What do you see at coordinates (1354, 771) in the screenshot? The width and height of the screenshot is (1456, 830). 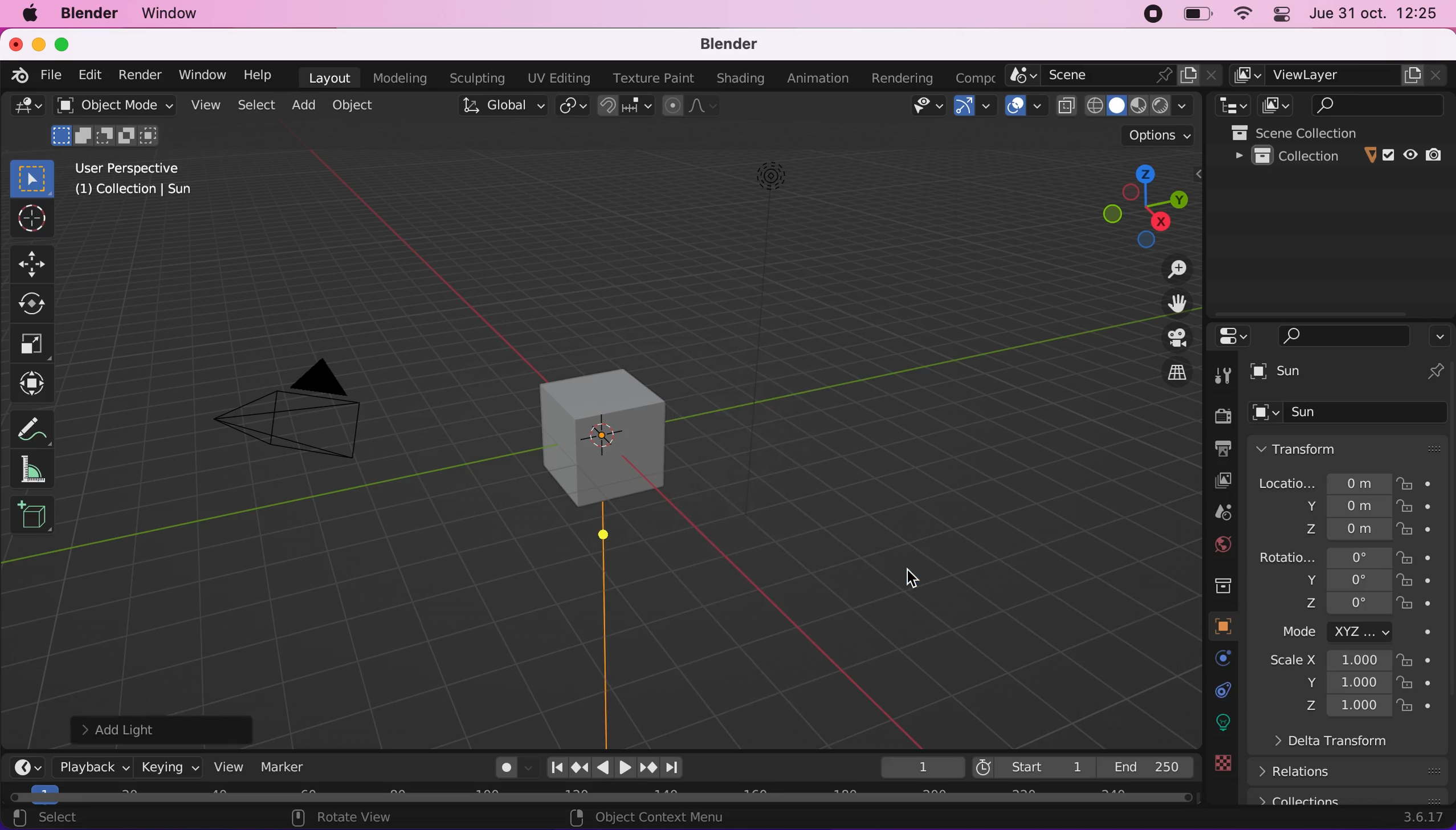 I see `relations` at bounding box center [1354, 771].